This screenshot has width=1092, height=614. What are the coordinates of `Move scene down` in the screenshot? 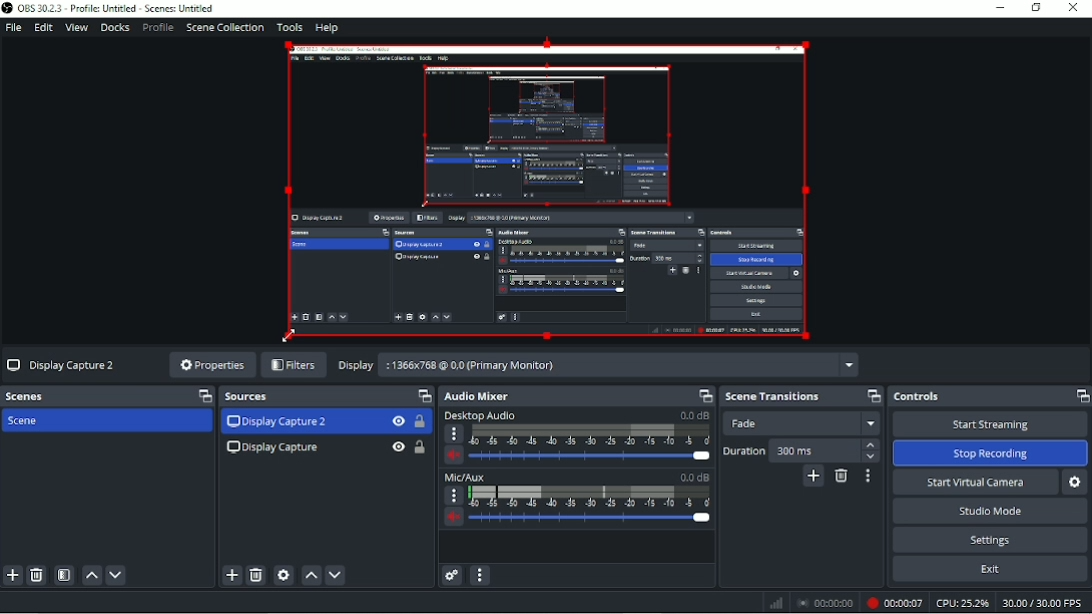 It's located at (115, 575).